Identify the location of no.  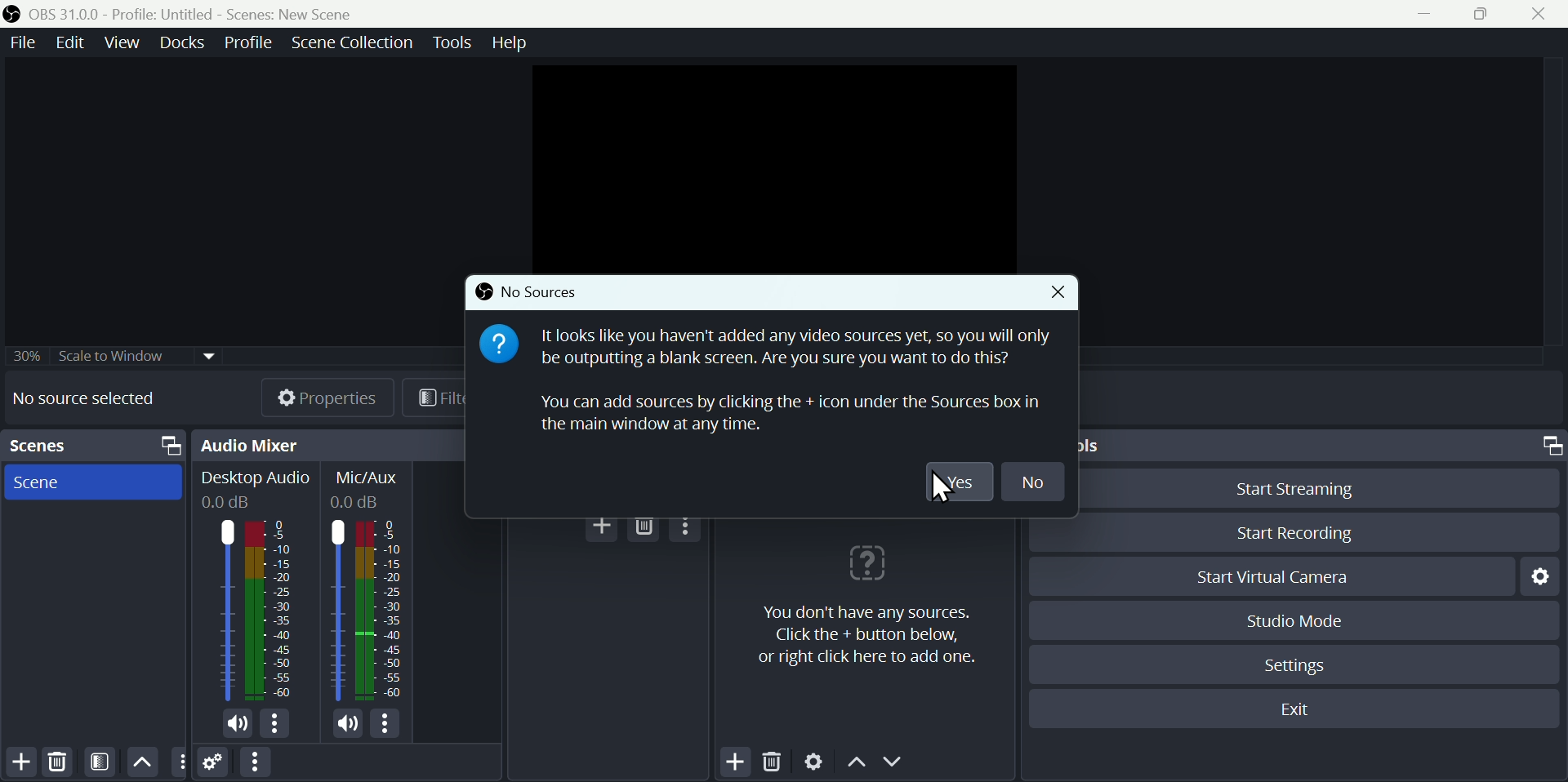
(1035, 481).